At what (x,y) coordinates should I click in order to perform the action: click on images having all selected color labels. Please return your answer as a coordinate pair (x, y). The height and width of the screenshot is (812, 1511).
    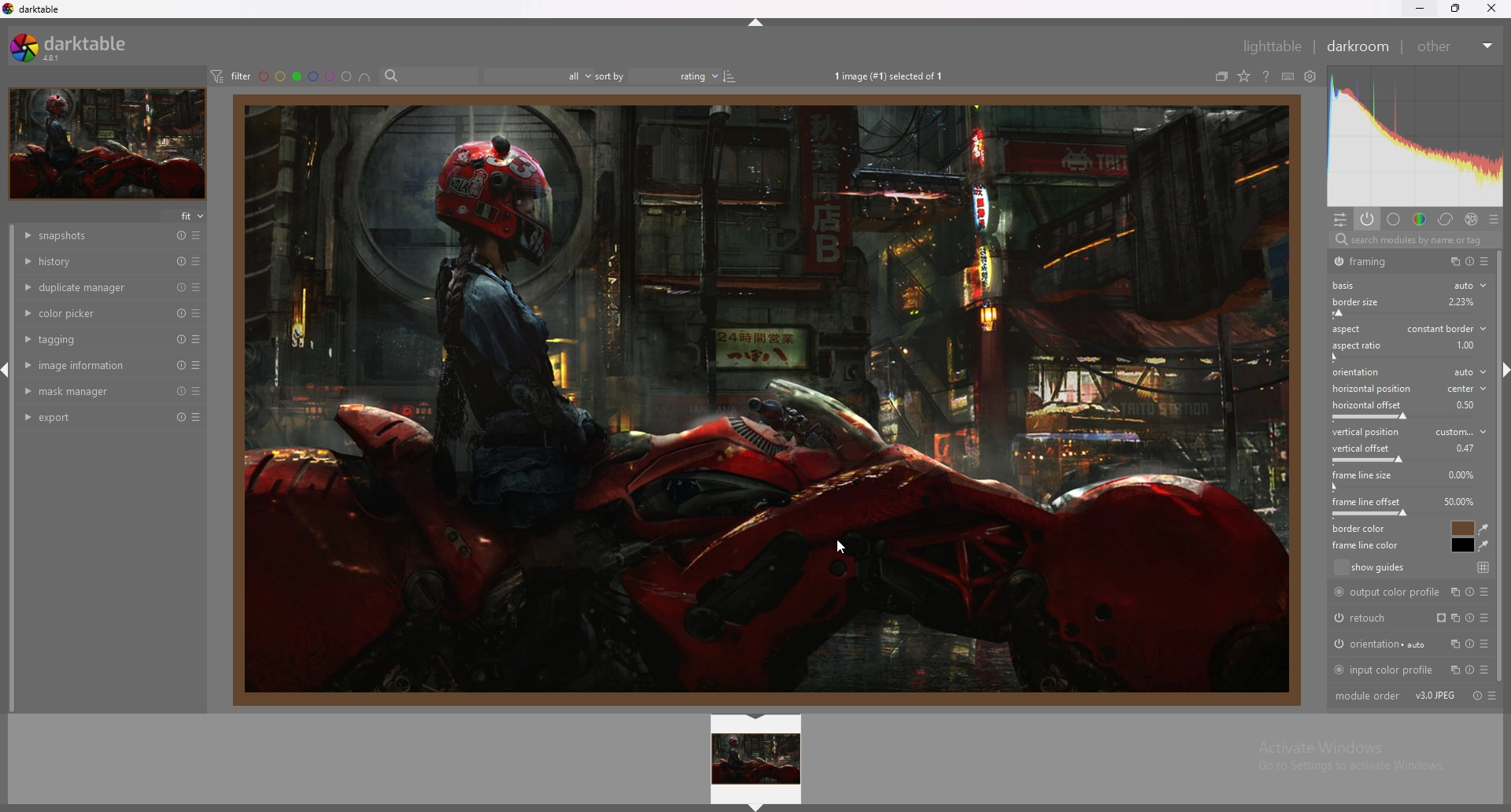
    Looking at the image, I should click on (364, 76).